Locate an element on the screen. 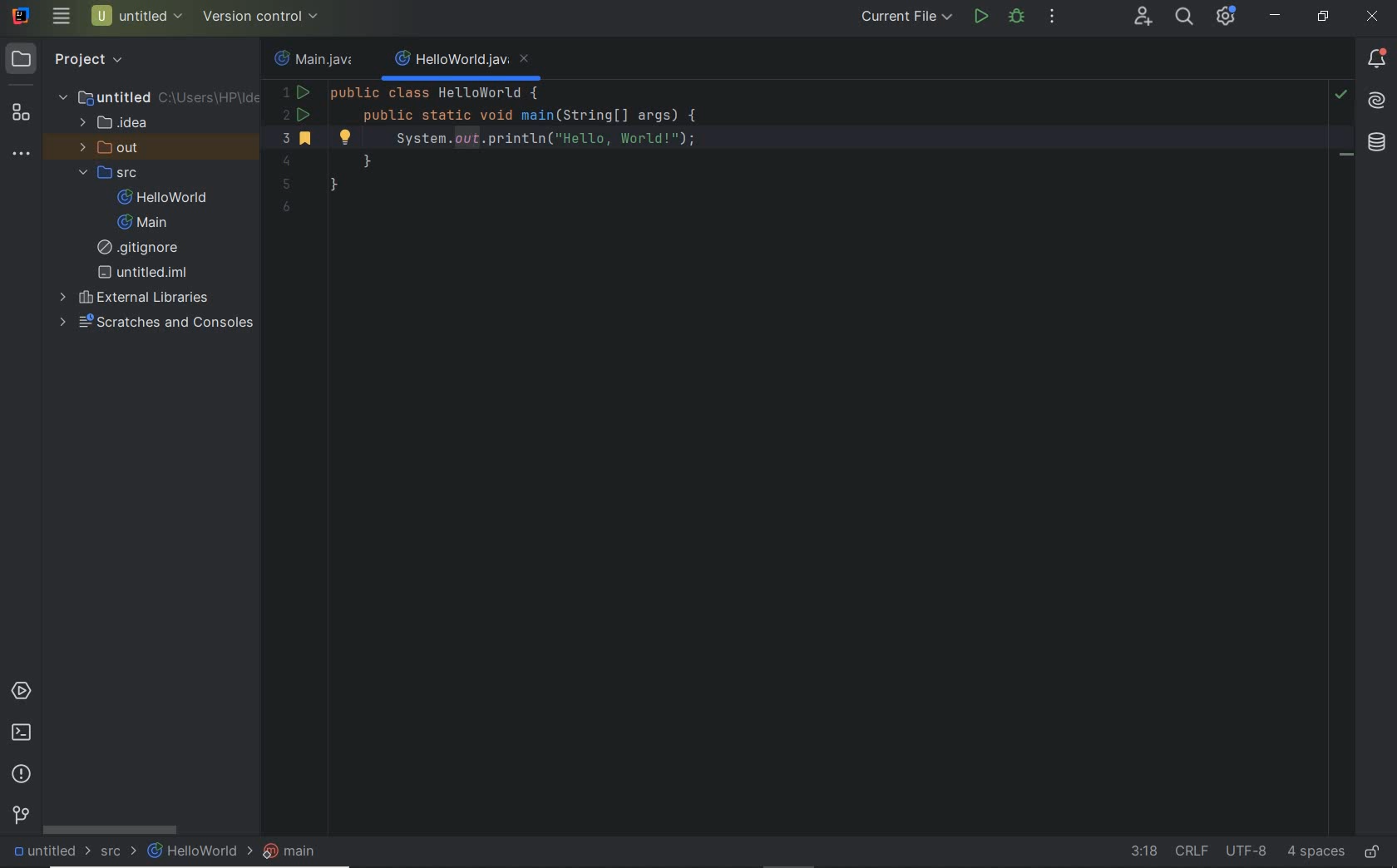 This screenshot has width=1397, height=868. HelloWorld is located at coordinates (163, 197).